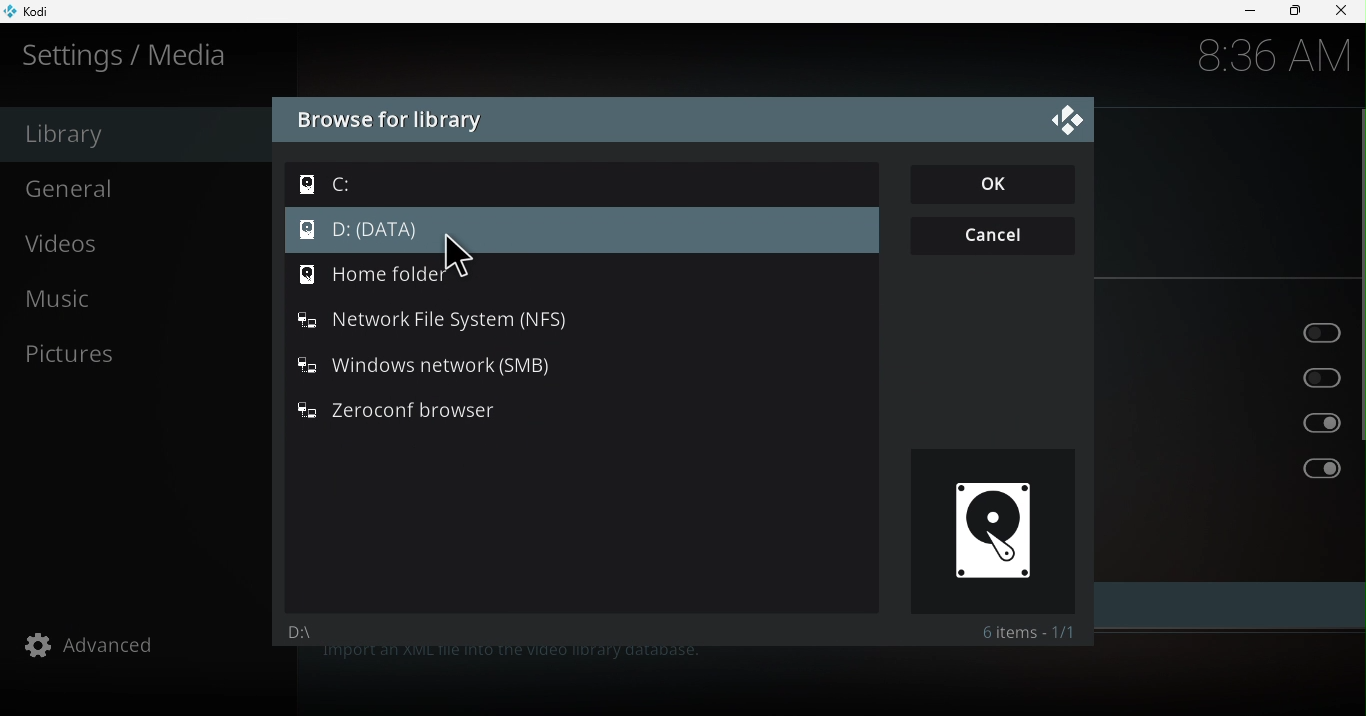  What do you see at coordinates (145, 247) in the screenshot?
I see `Videos` at bounding box center [145, 247].